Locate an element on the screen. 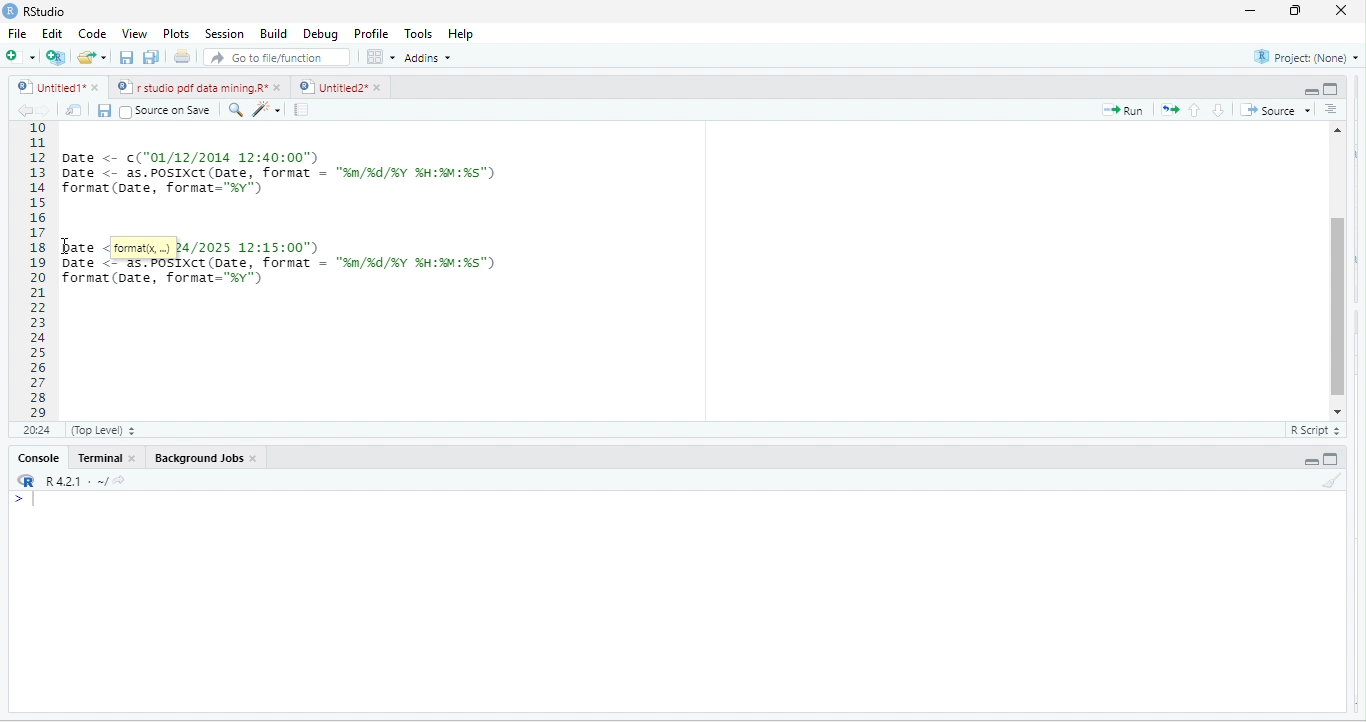  R Script & is located at coordinates (1312, 431).